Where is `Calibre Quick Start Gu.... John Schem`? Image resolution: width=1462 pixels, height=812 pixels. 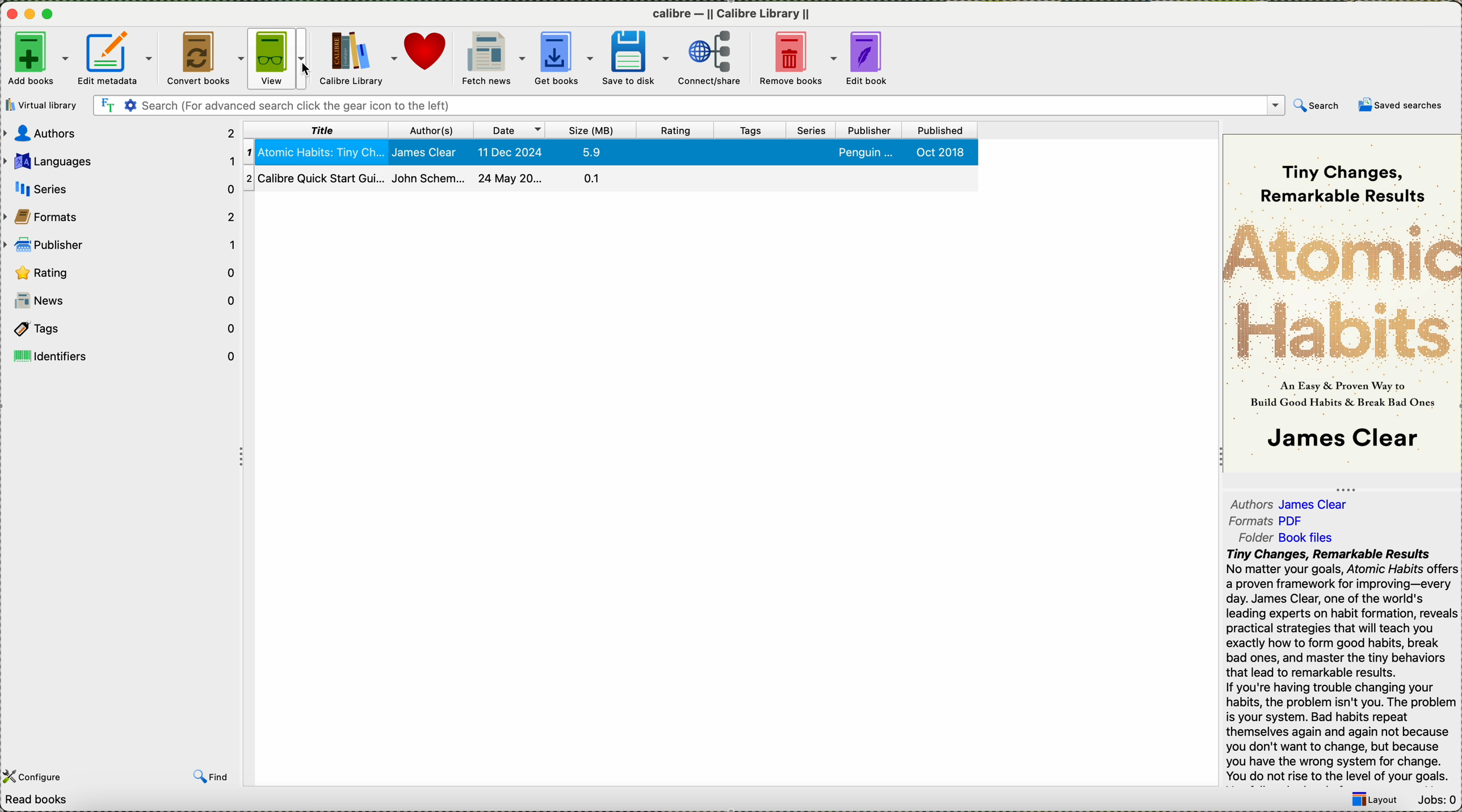
Calibre Quick Start Gu.... John Schem is located at coordinates (611, 180).